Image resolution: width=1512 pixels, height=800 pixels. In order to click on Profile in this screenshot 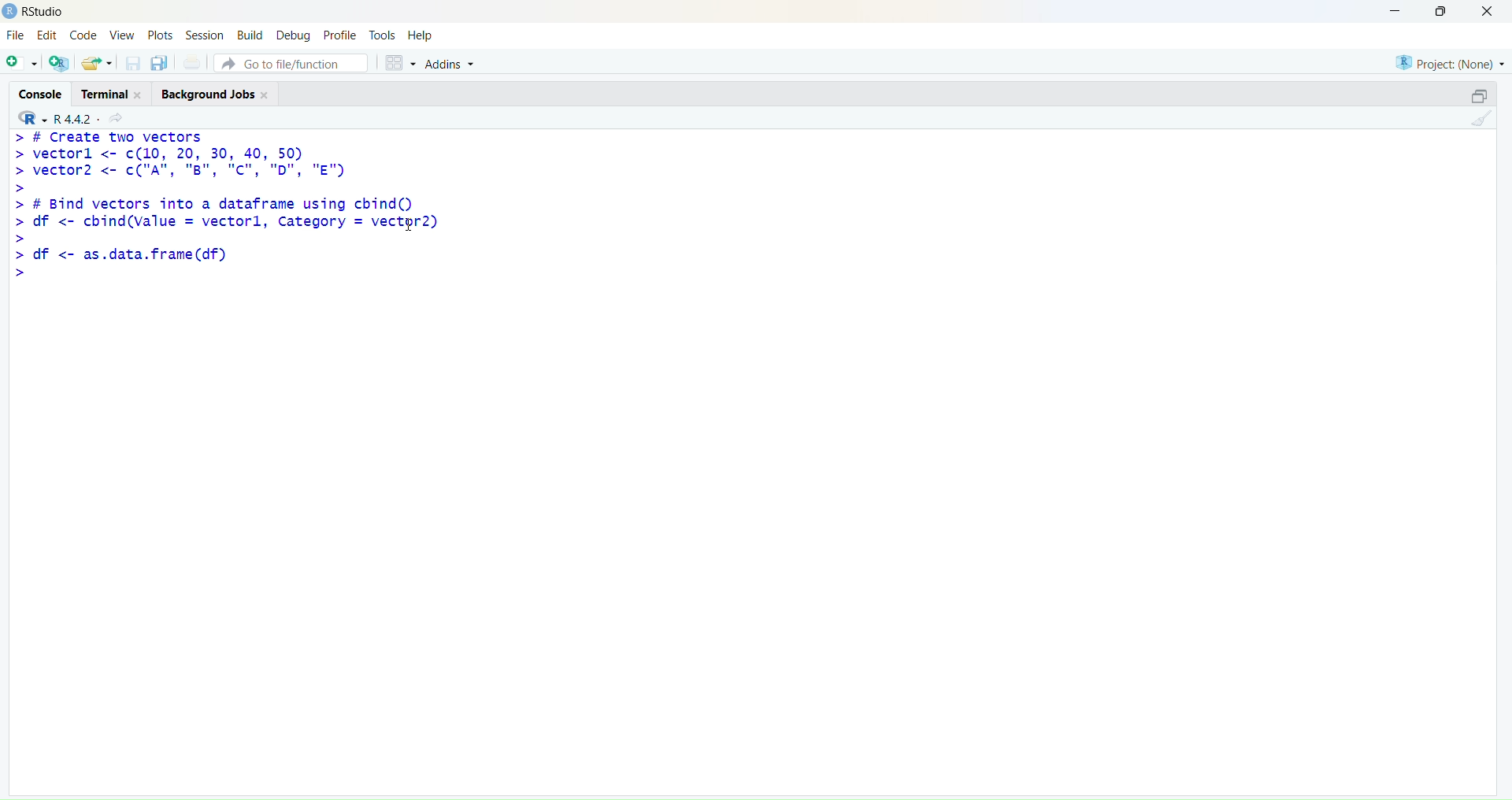, I will do `click(339, 34)`.